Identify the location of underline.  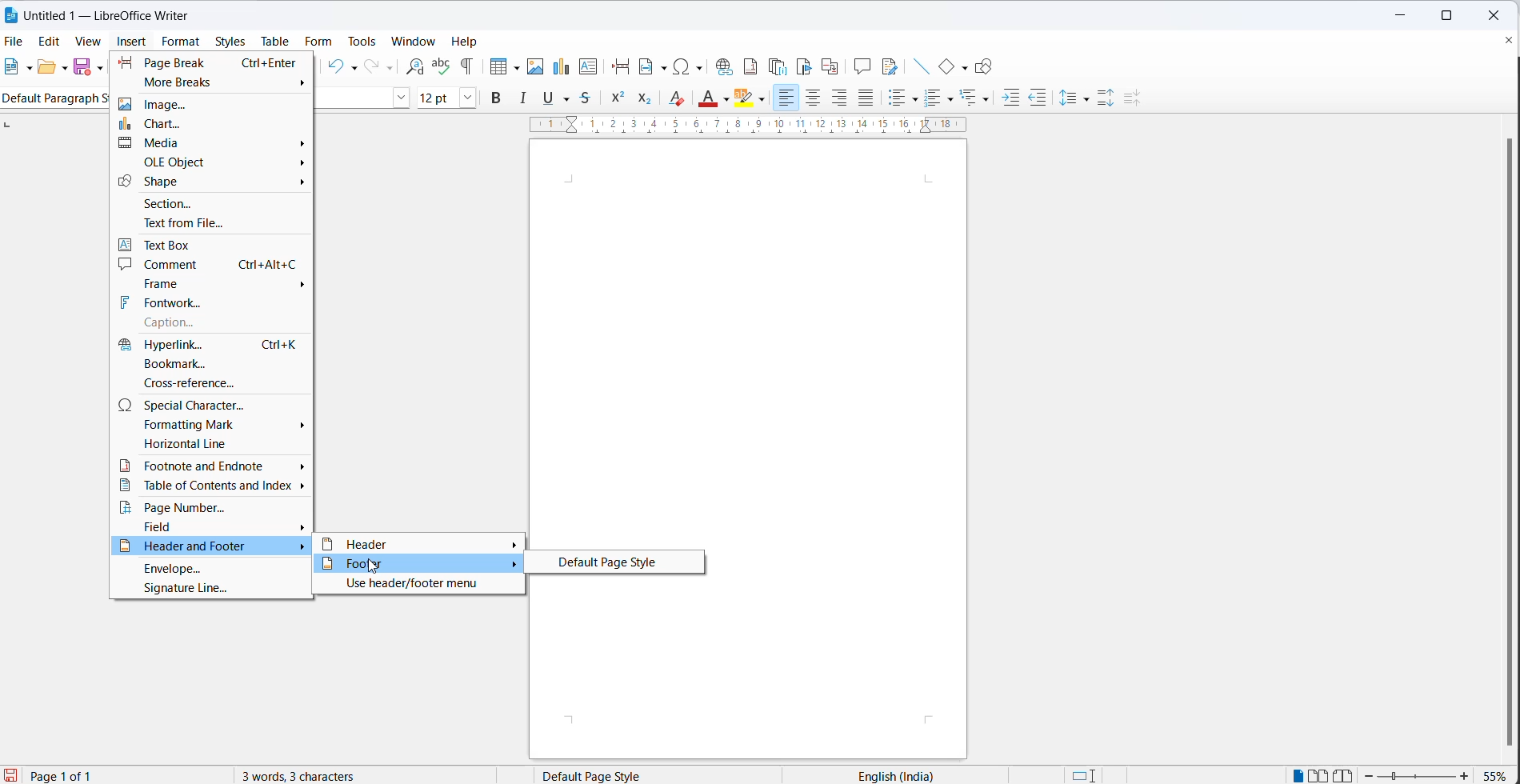
(550, 98).